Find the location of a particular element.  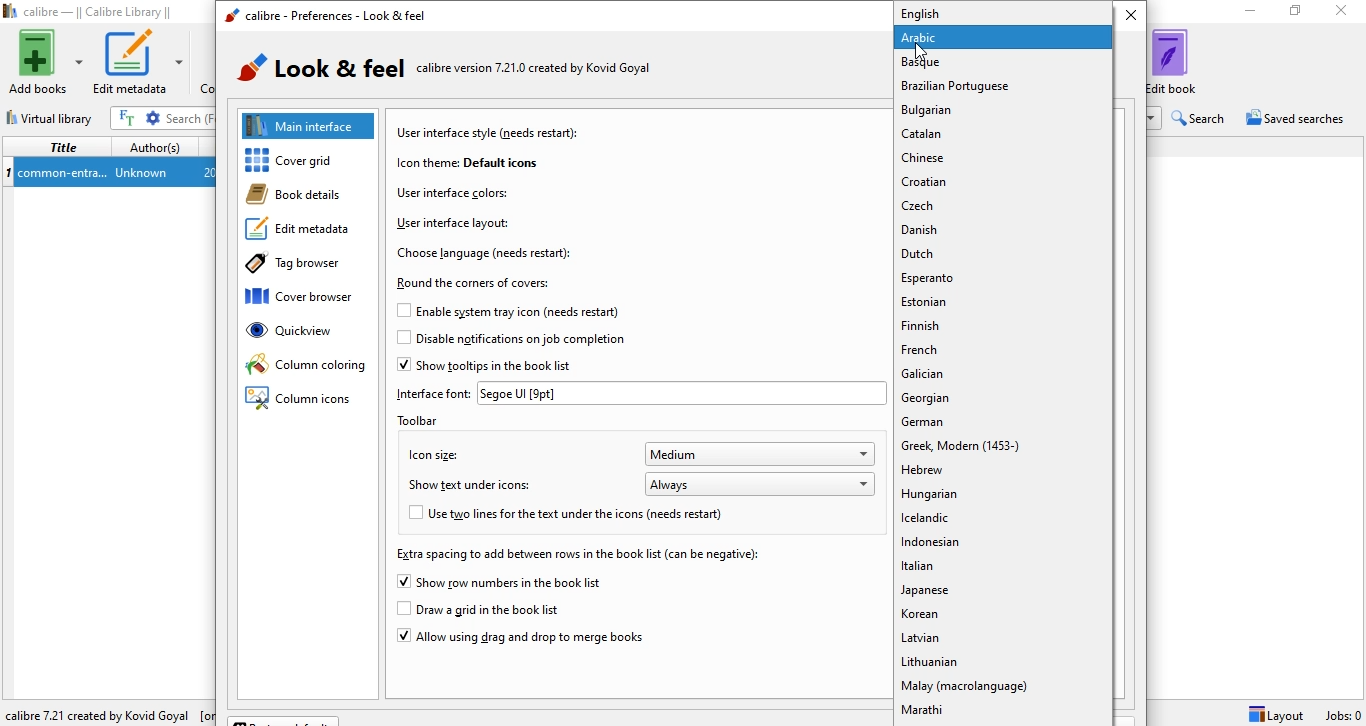

hungarian is located at coordinates (1003, 494).